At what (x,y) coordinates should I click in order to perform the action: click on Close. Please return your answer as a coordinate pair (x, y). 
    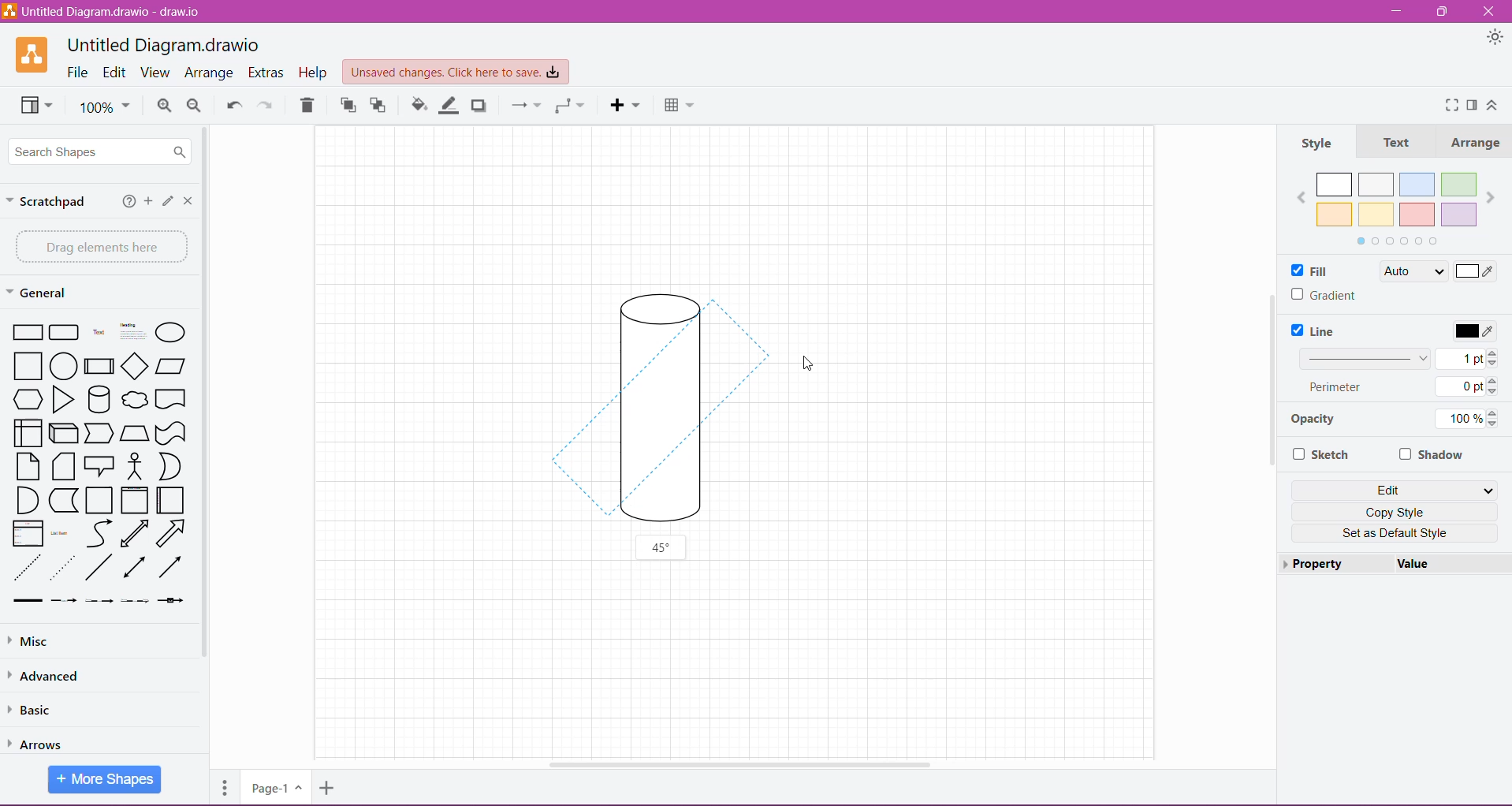
    Looking at the image, I should click on (187, 200).